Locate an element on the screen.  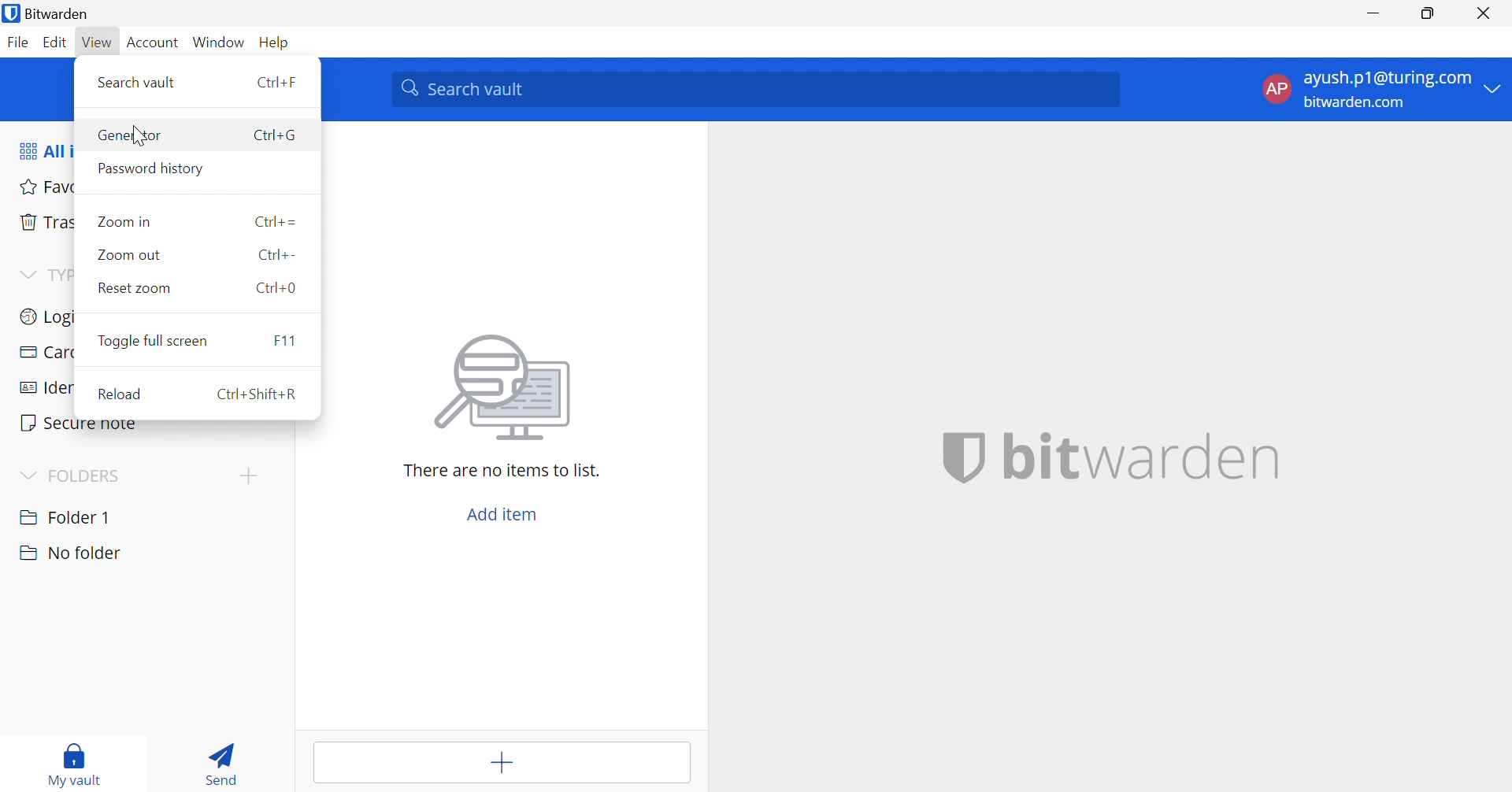
Add folder is located at coordinates (253, 475).